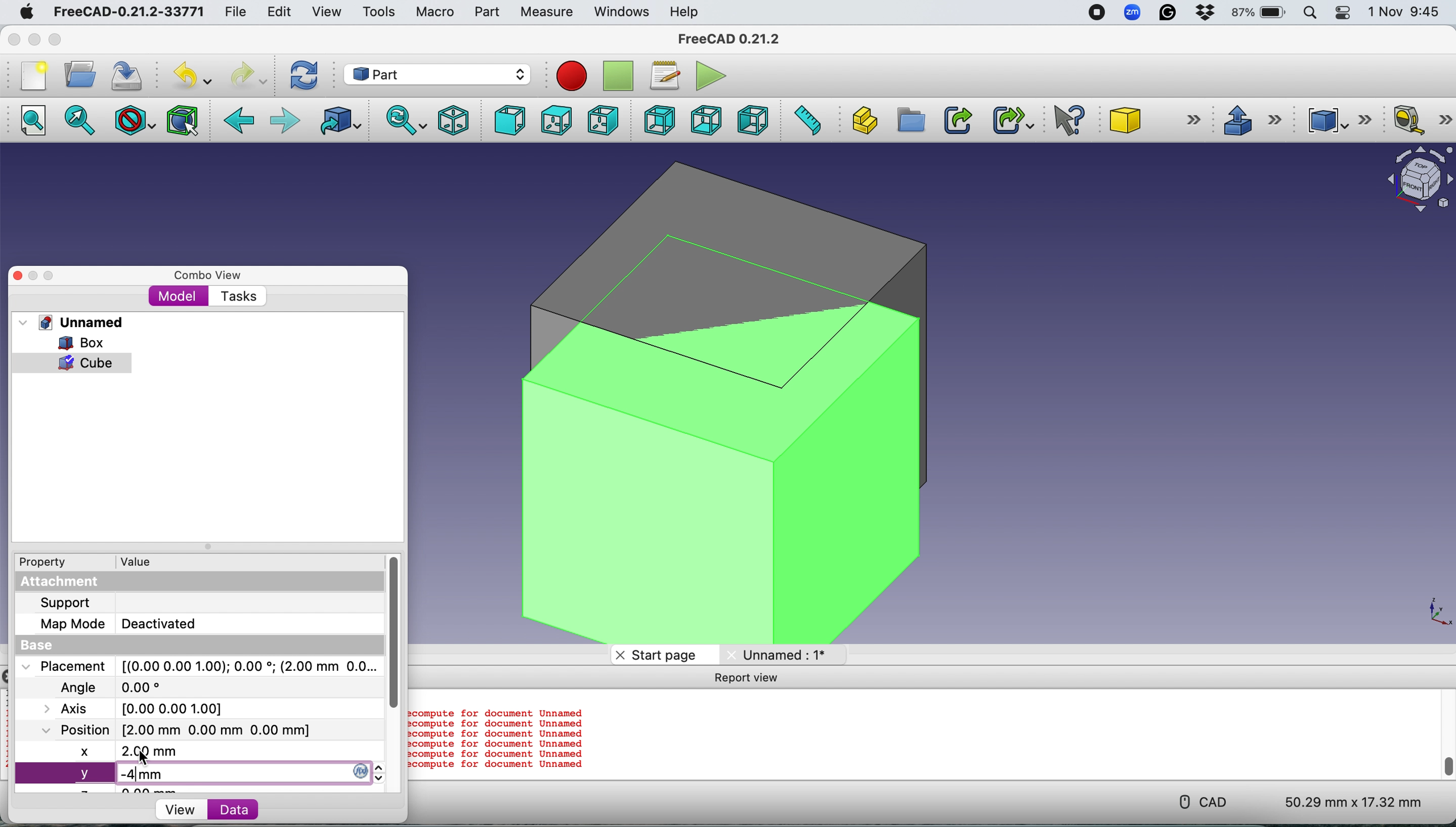  What do you see at coordinates (752, 120) in the screenshot?
I see `Left` at bounding box center [752, 120].